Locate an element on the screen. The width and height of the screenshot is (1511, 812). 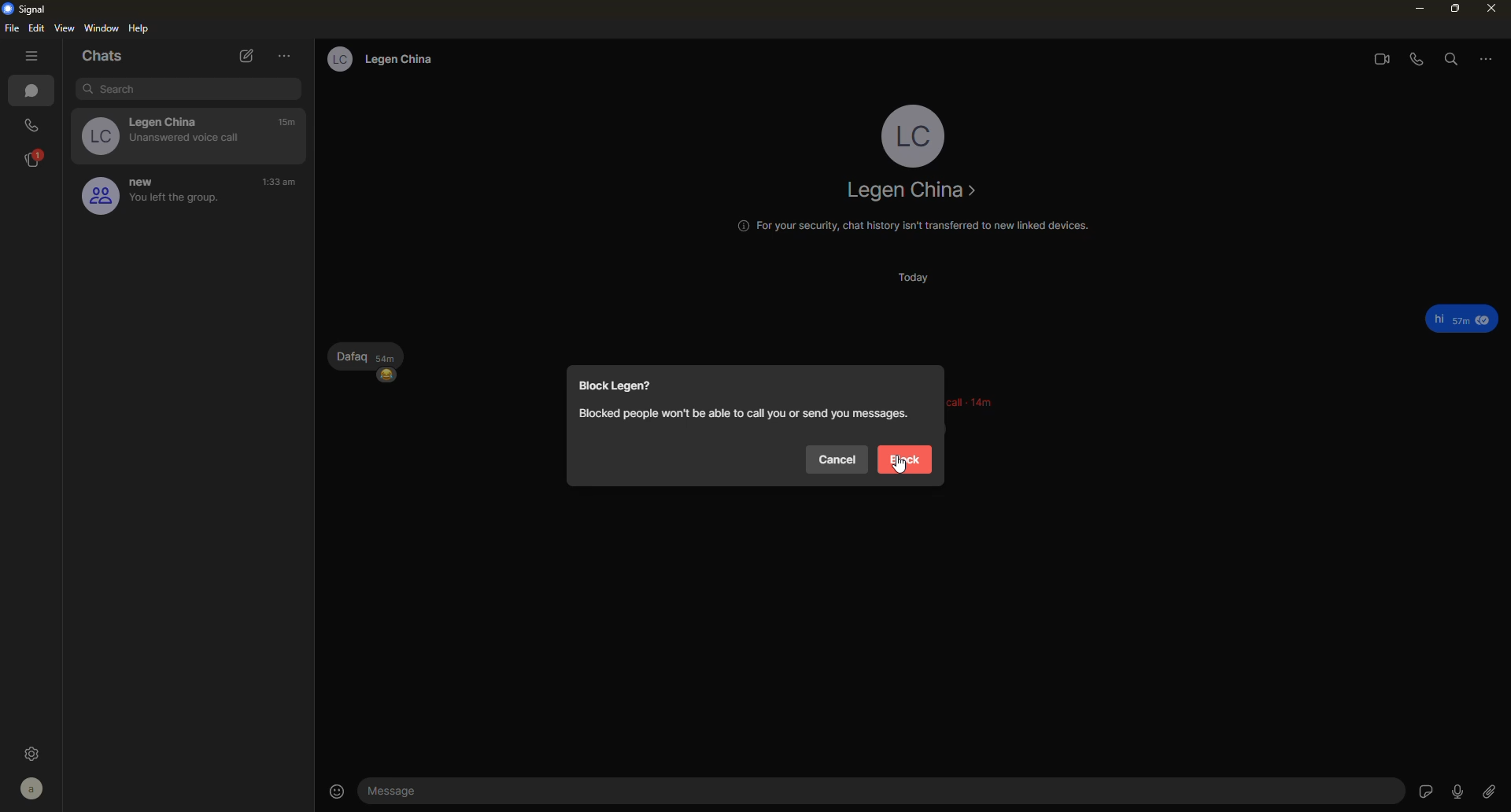
hide tabs is located at coordinates (31, 56).